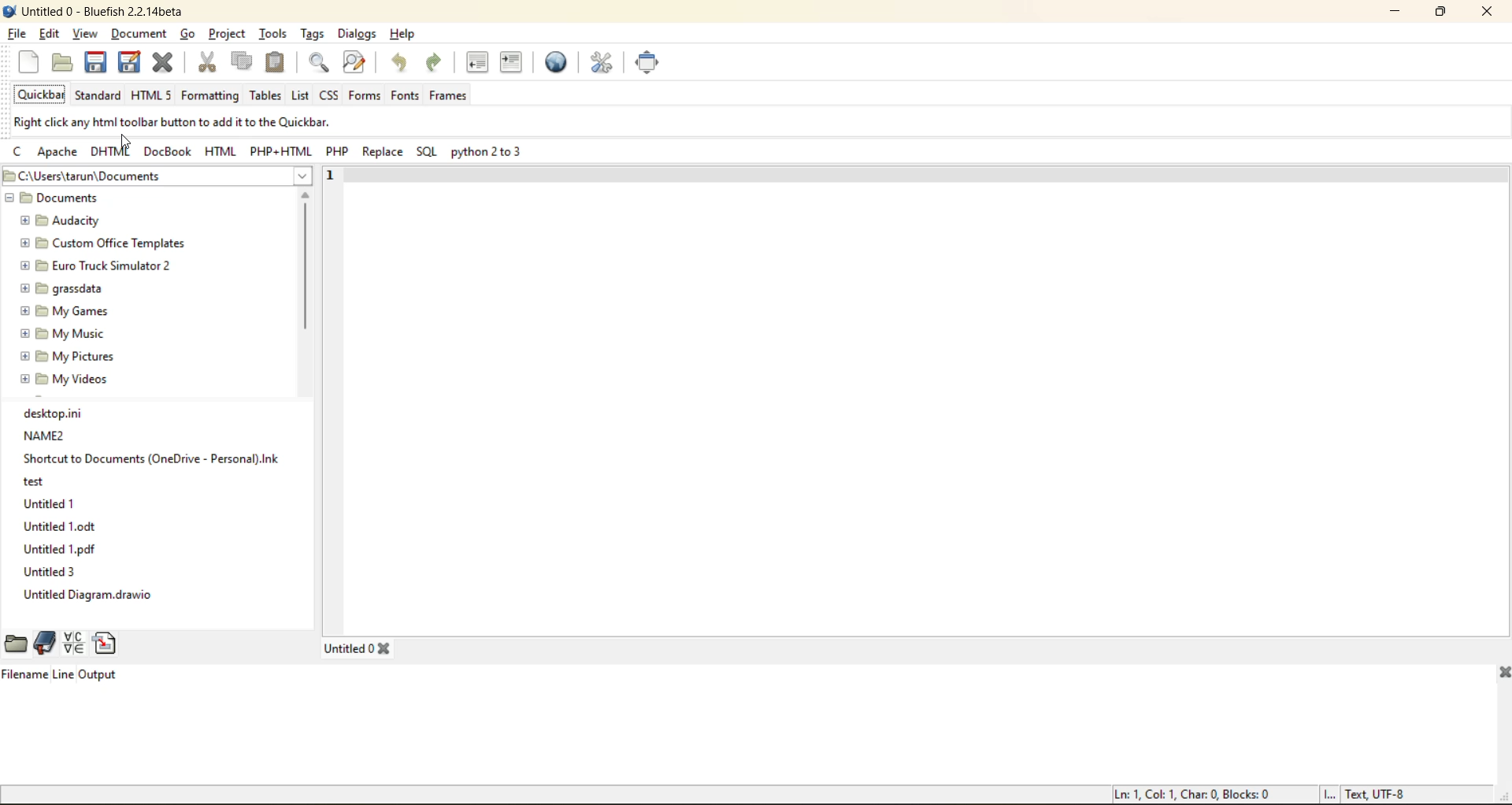  Describe the element at coordinates (1499, 674) in the screenshot. I see `close output pane` at that location.